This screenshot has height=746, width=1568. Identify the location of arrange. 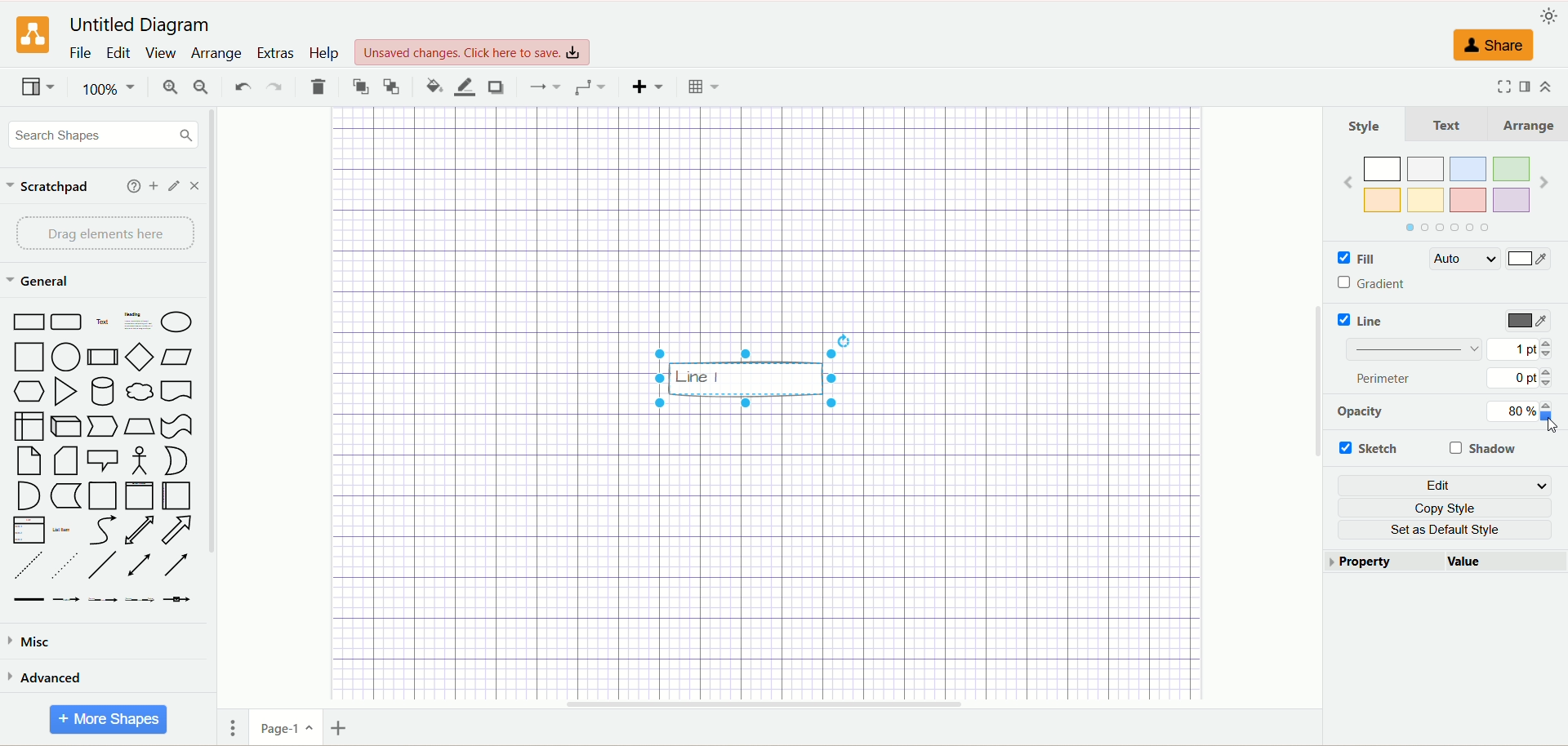
(217, 54).